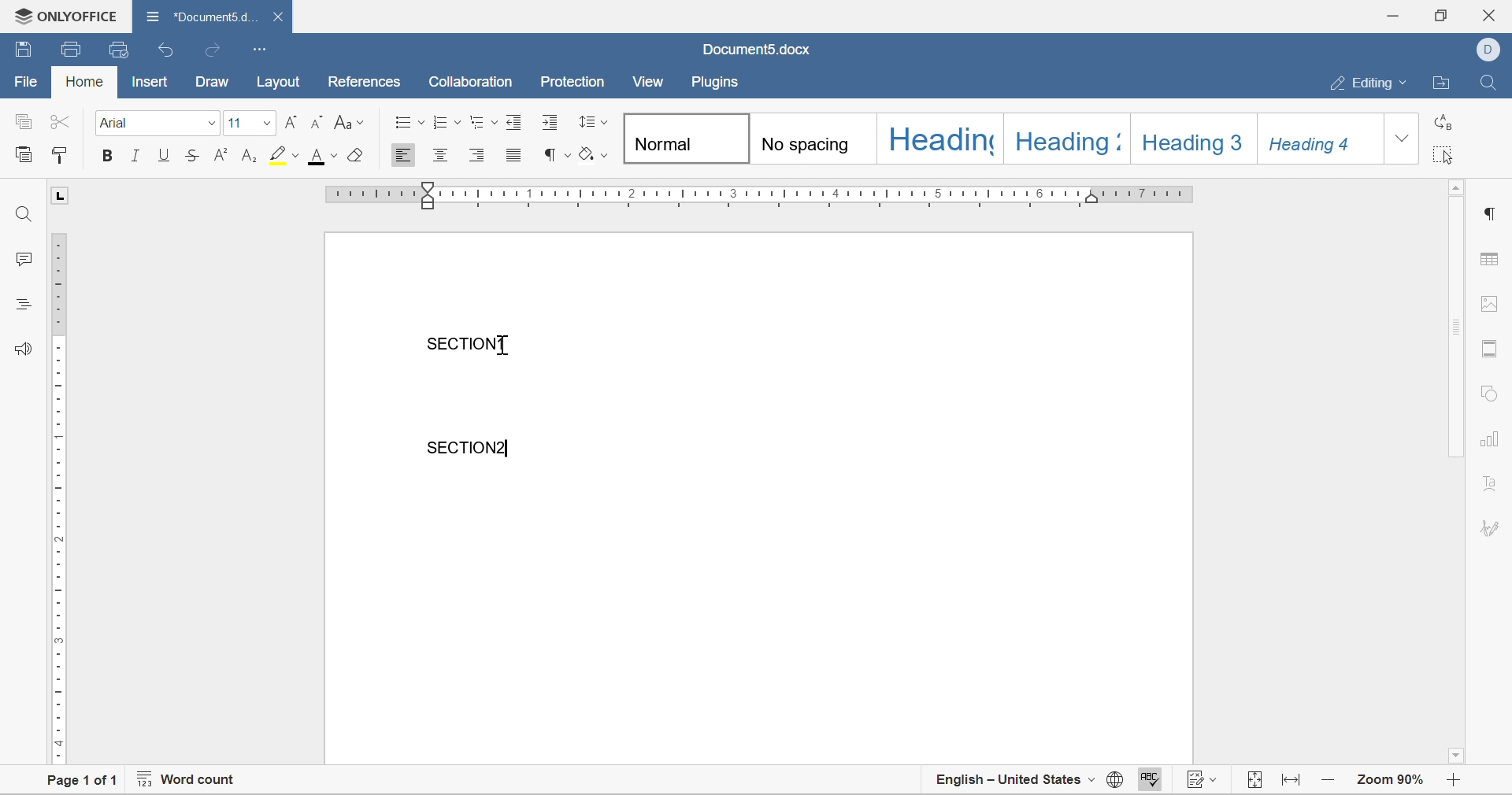 The height and width of the screenshot is (795, 1512). Describe the element at coordinates (72, 50) in the screenshot. I see `save` at that location.